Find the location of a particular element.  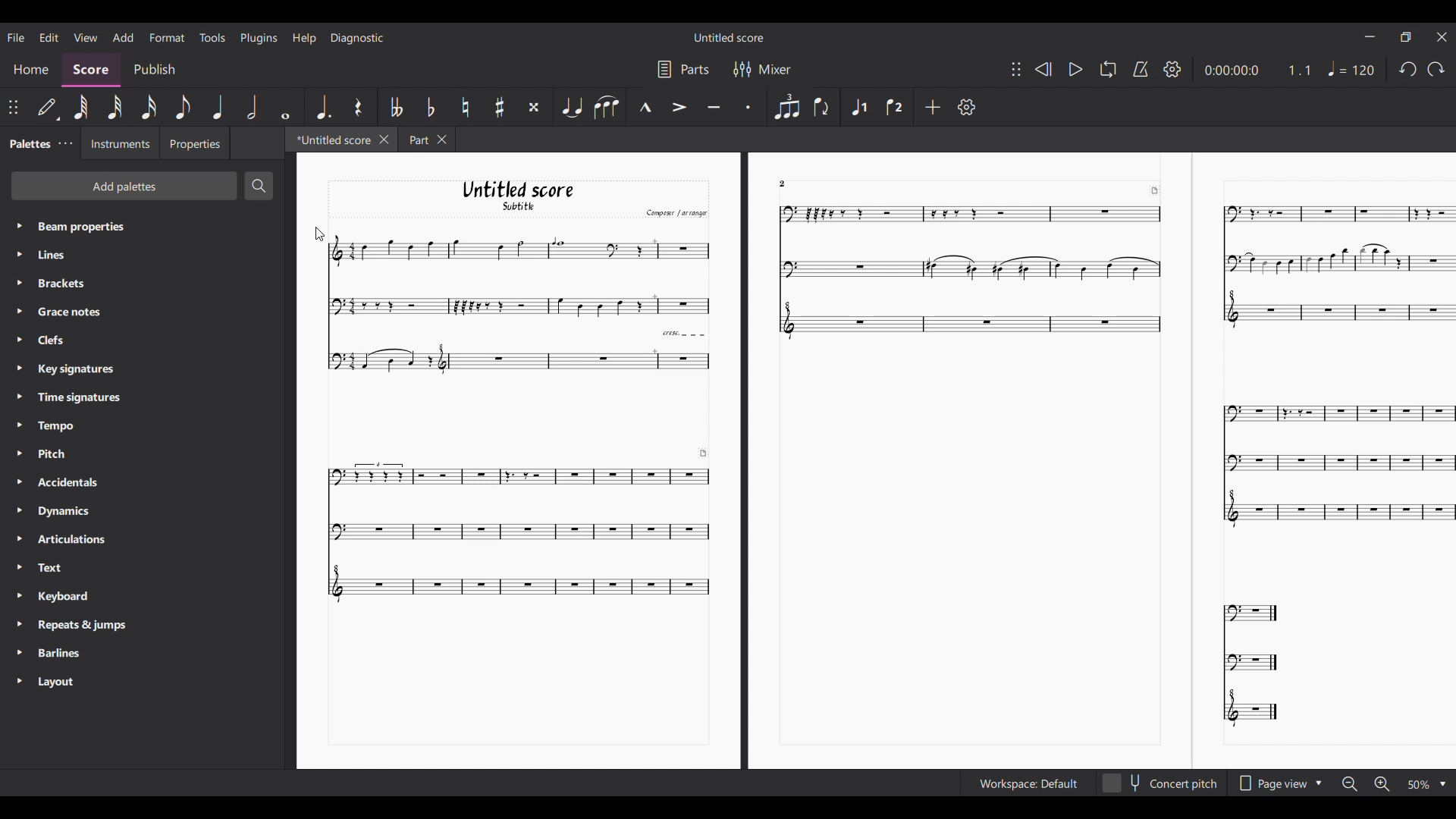

Add is located at coordinates (123, 38).